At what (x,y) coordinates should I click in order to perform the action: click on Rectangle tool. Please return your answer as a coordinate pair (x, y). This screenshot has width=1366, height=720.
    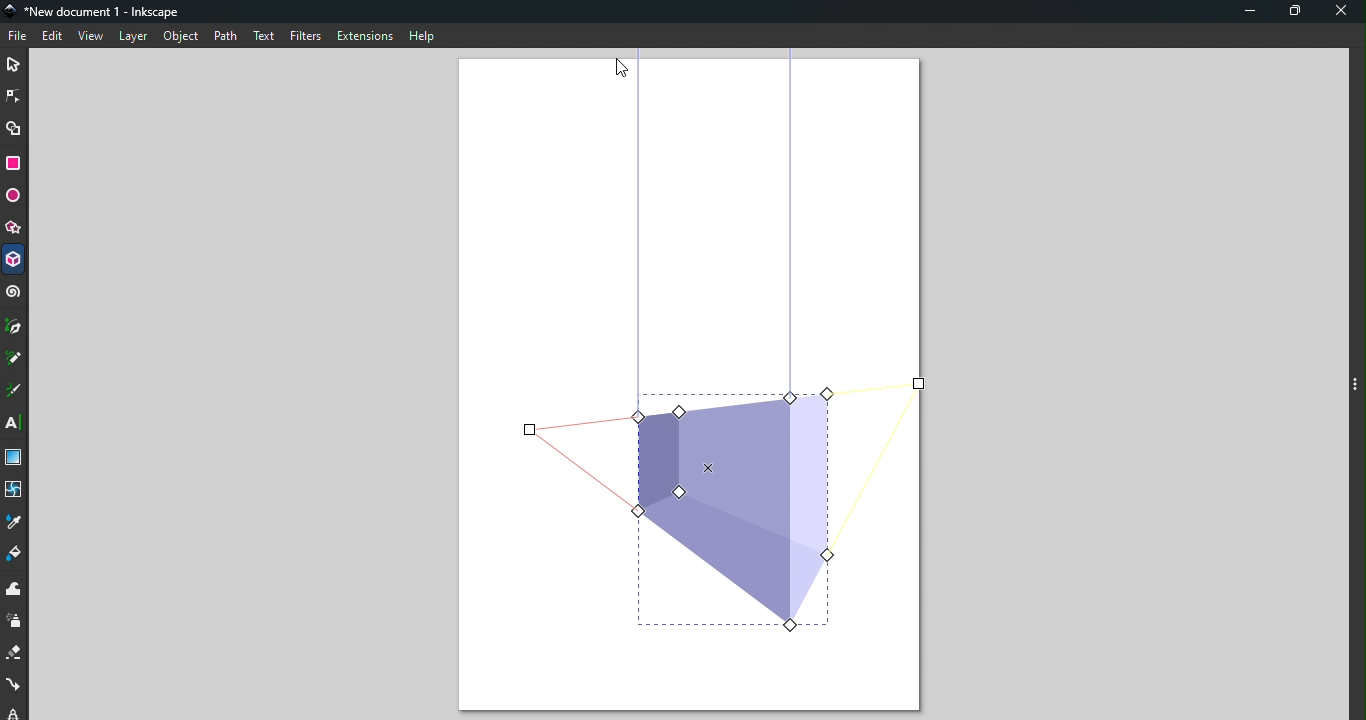
    Looking at the image, I should click on (15, 164).